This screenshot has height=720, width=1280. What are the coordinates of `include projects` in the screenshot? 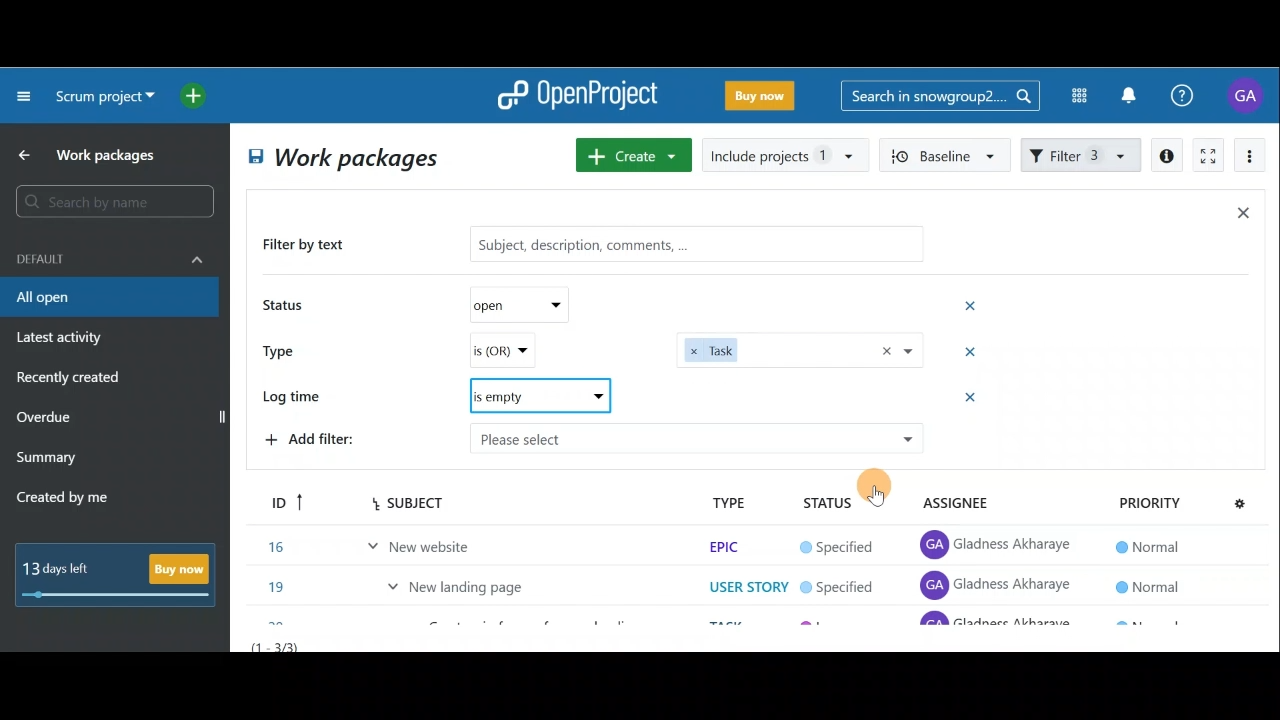 It's located at (786, 154).